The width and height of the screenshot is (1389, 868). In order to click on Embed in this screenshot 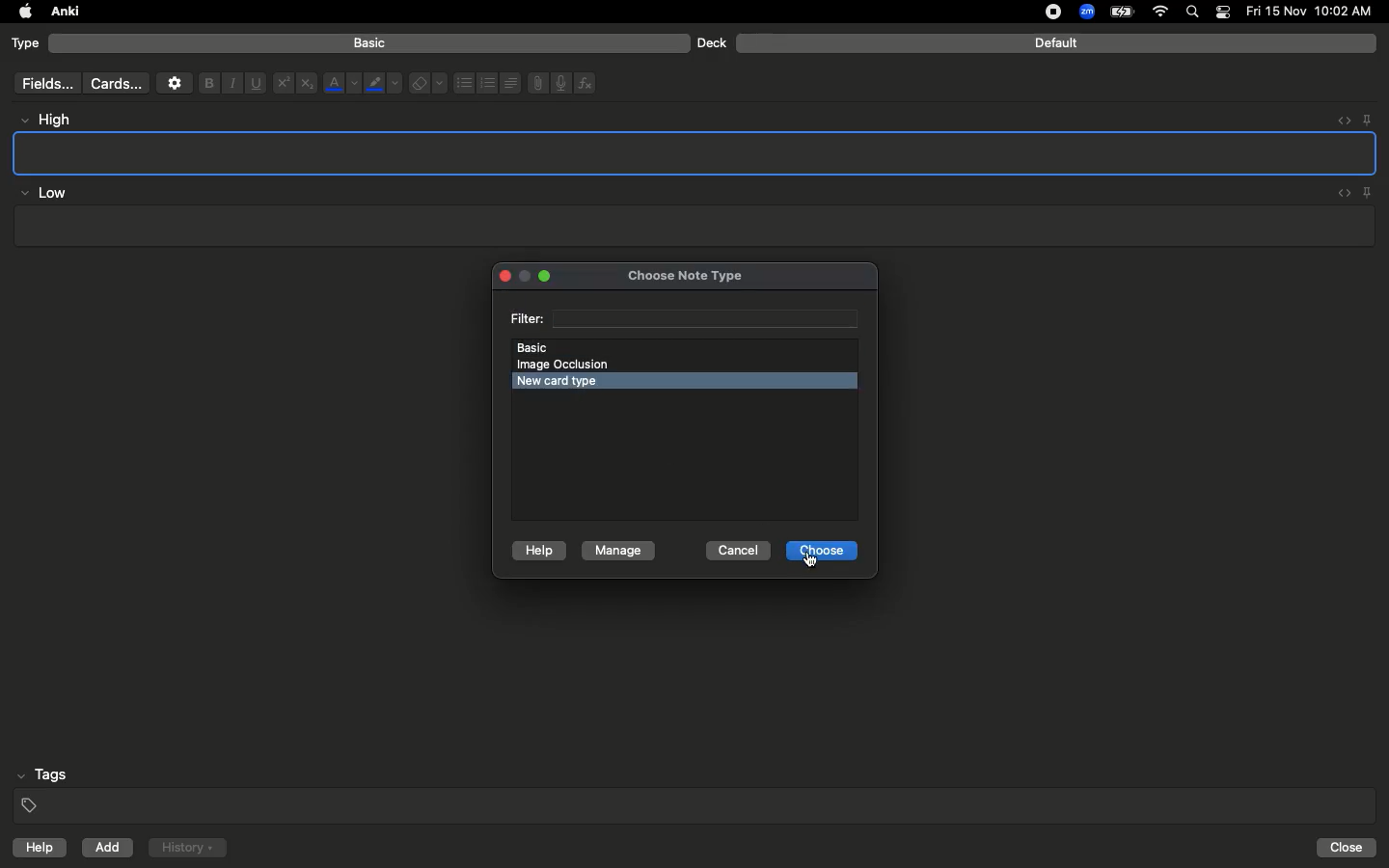, I will do `click(1338, 121)`.